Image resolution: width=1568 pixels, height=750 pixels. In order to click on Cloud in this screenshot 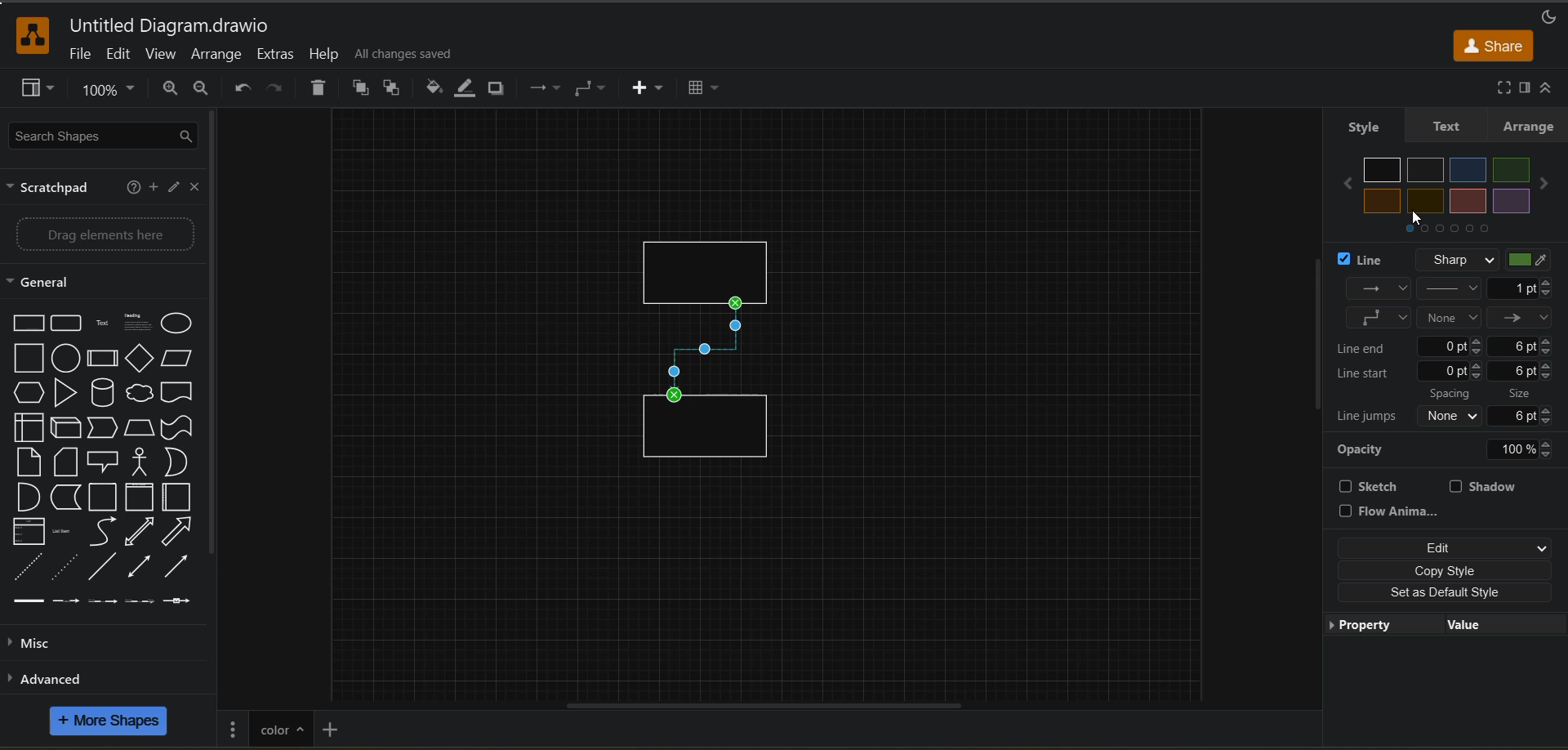, I will do `click(140, 391)`.